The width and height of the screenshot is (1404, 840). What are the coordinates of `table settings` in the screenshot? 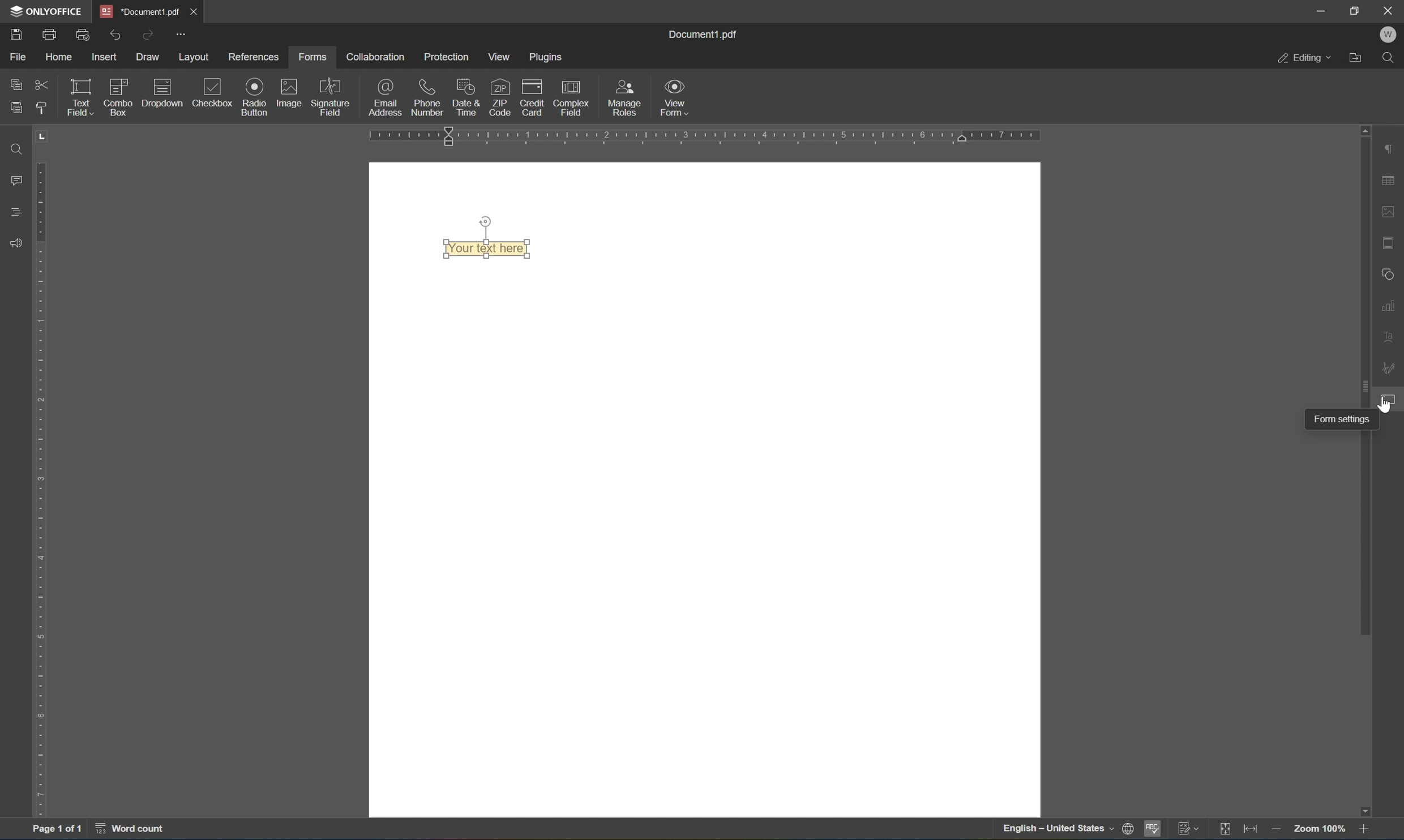 It's located at (1390, 179).